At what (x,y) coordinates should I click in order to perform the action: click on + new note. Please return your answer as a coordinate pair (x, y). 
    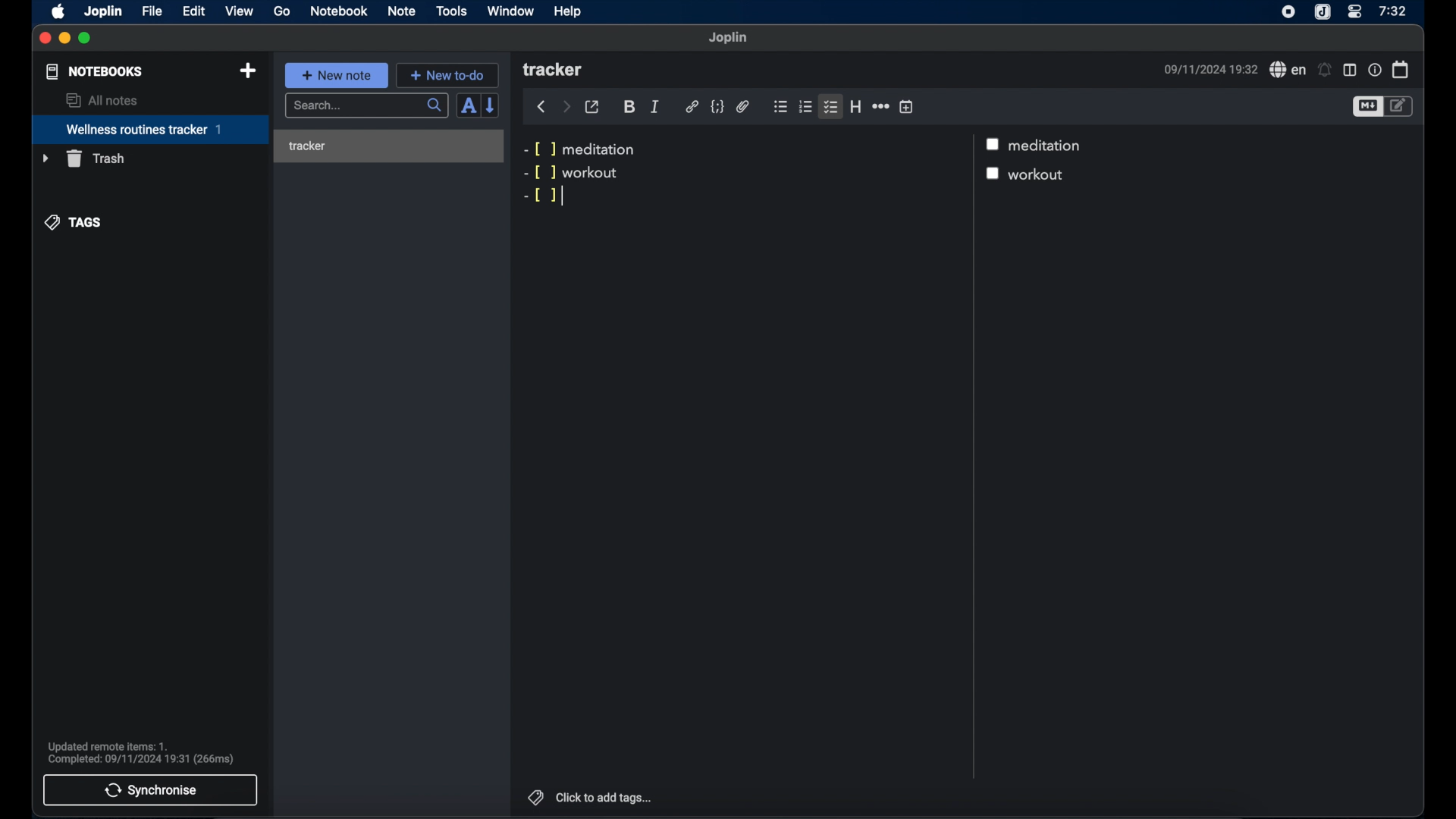
    Looking at the image, I should click on (337, 75).